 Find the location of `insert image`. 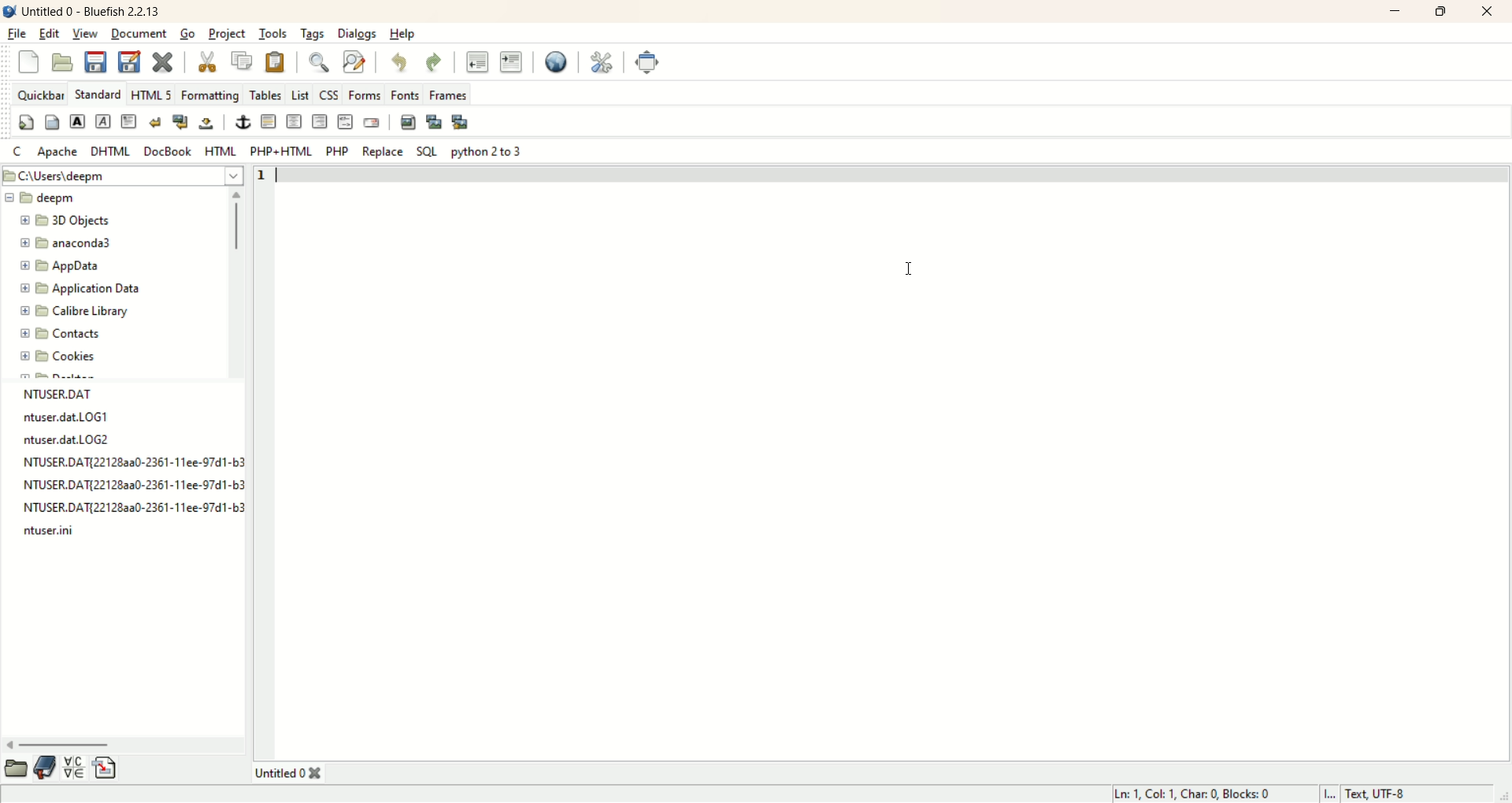

insert image is located at coordinates (407, 122).